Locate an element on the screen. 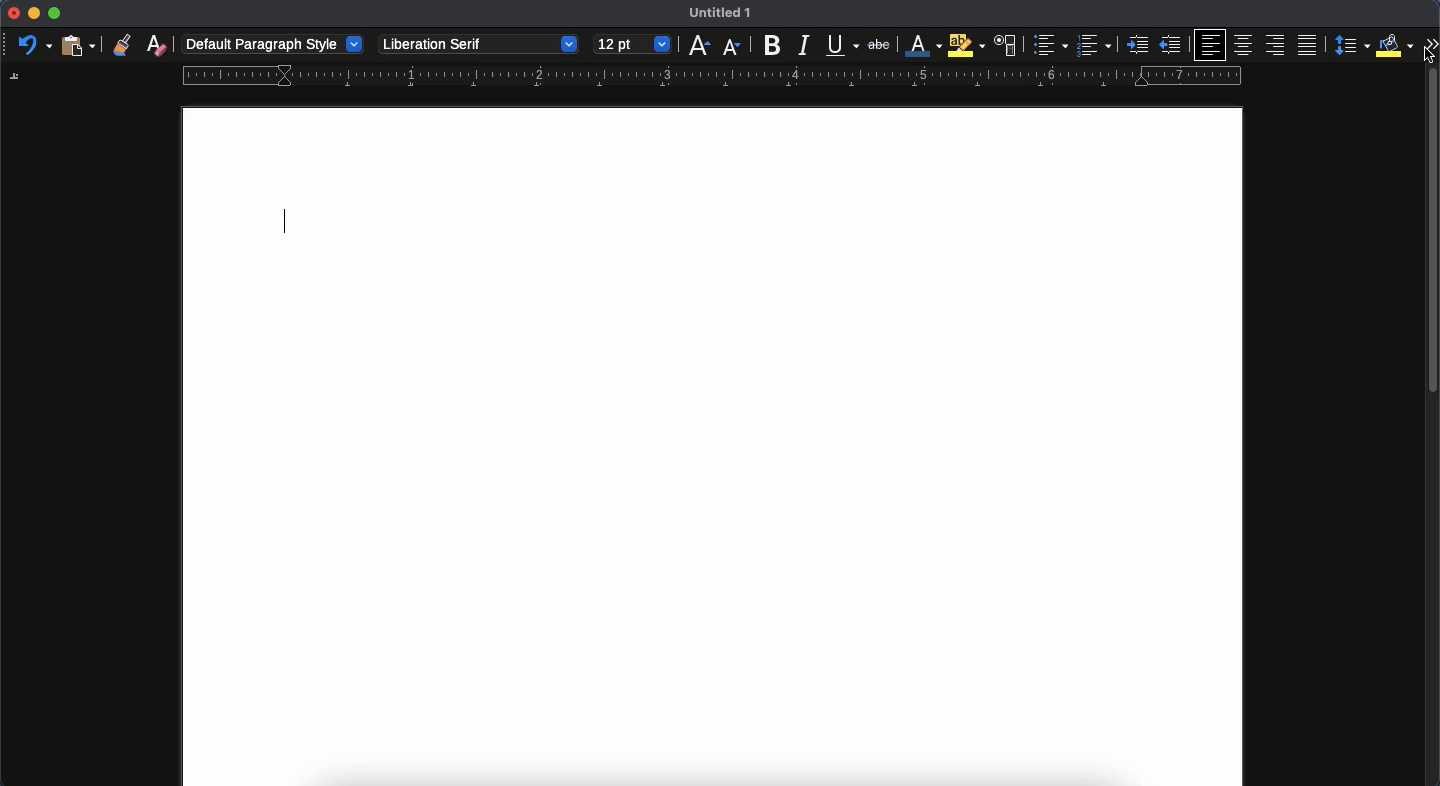 The height and width of the screenshot is (786, 1440). expand is located at coordinates (1426, 40).